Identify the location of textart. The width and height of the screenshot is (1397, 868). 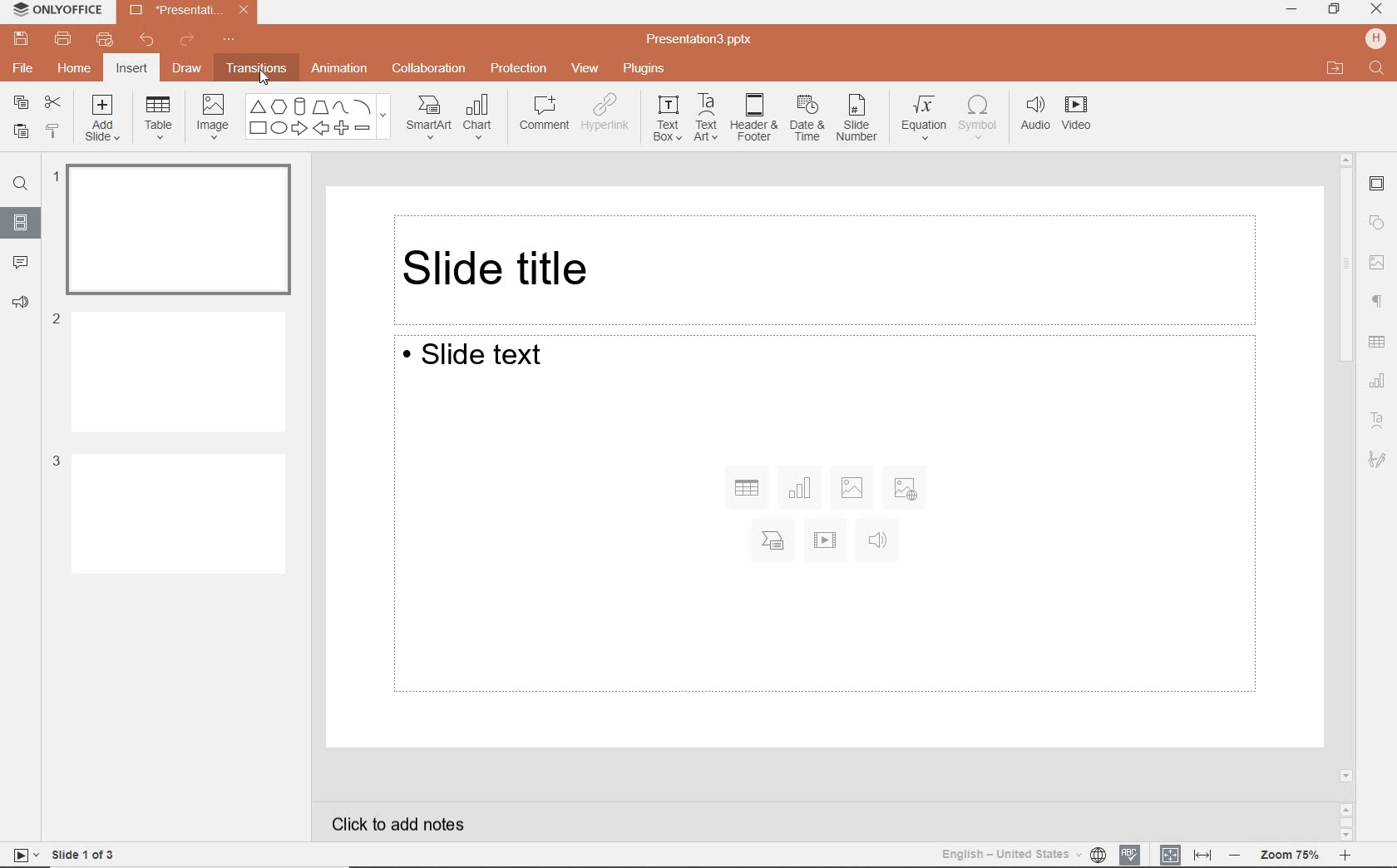
(1380, 420).